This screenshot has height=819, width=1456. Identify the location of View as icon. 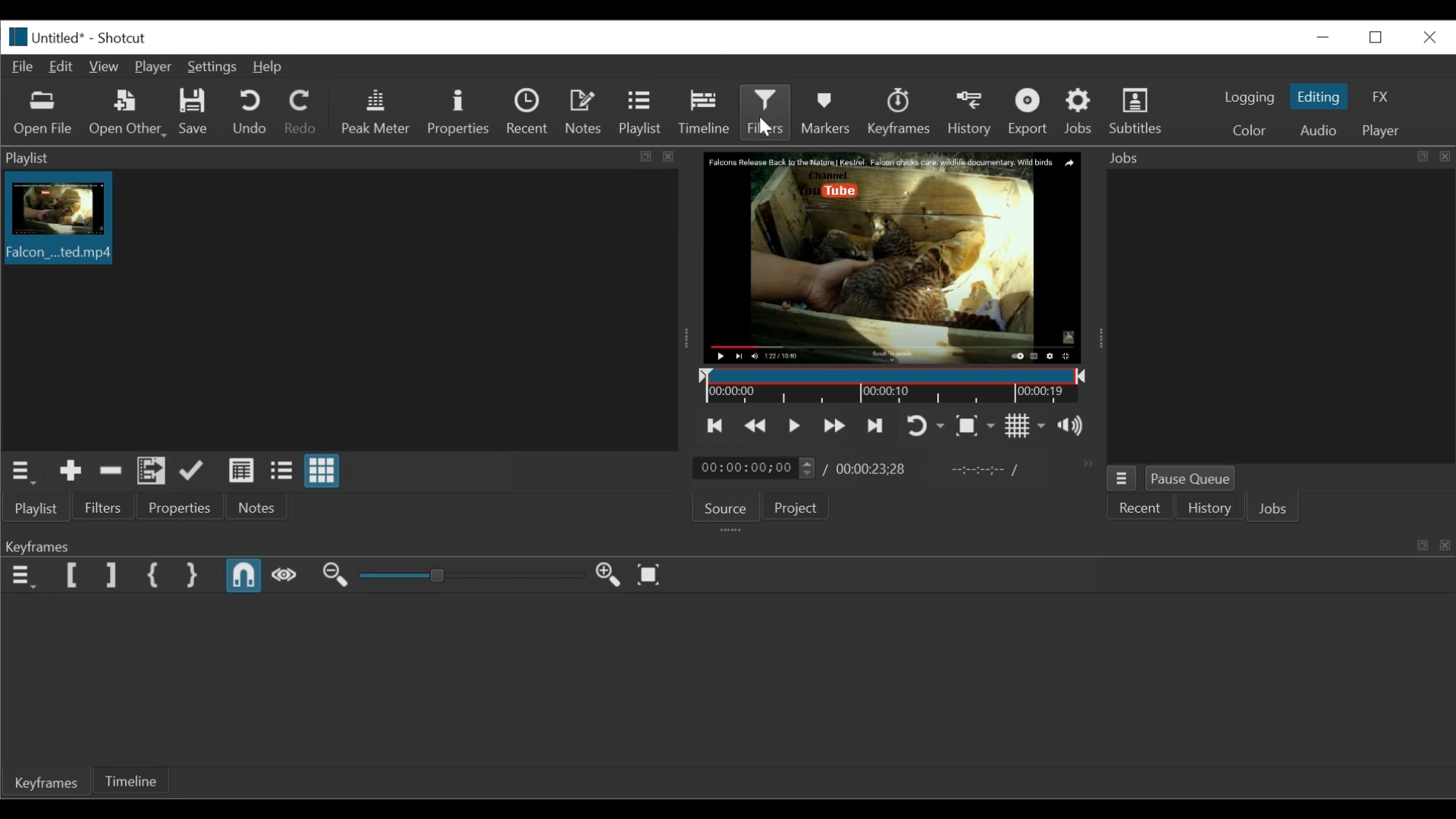
(324, 472).